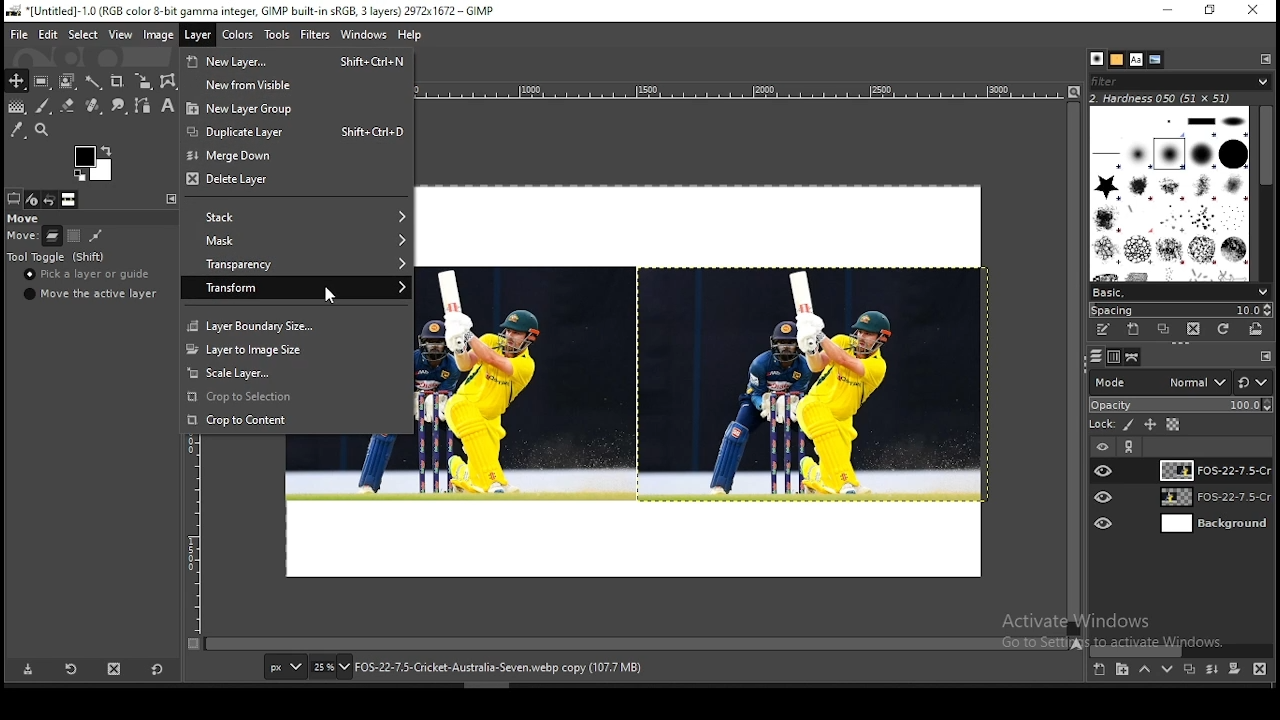 The height and width of the screenshot is (720, 1280). I want to click on crop to selection, so click(295, 397).